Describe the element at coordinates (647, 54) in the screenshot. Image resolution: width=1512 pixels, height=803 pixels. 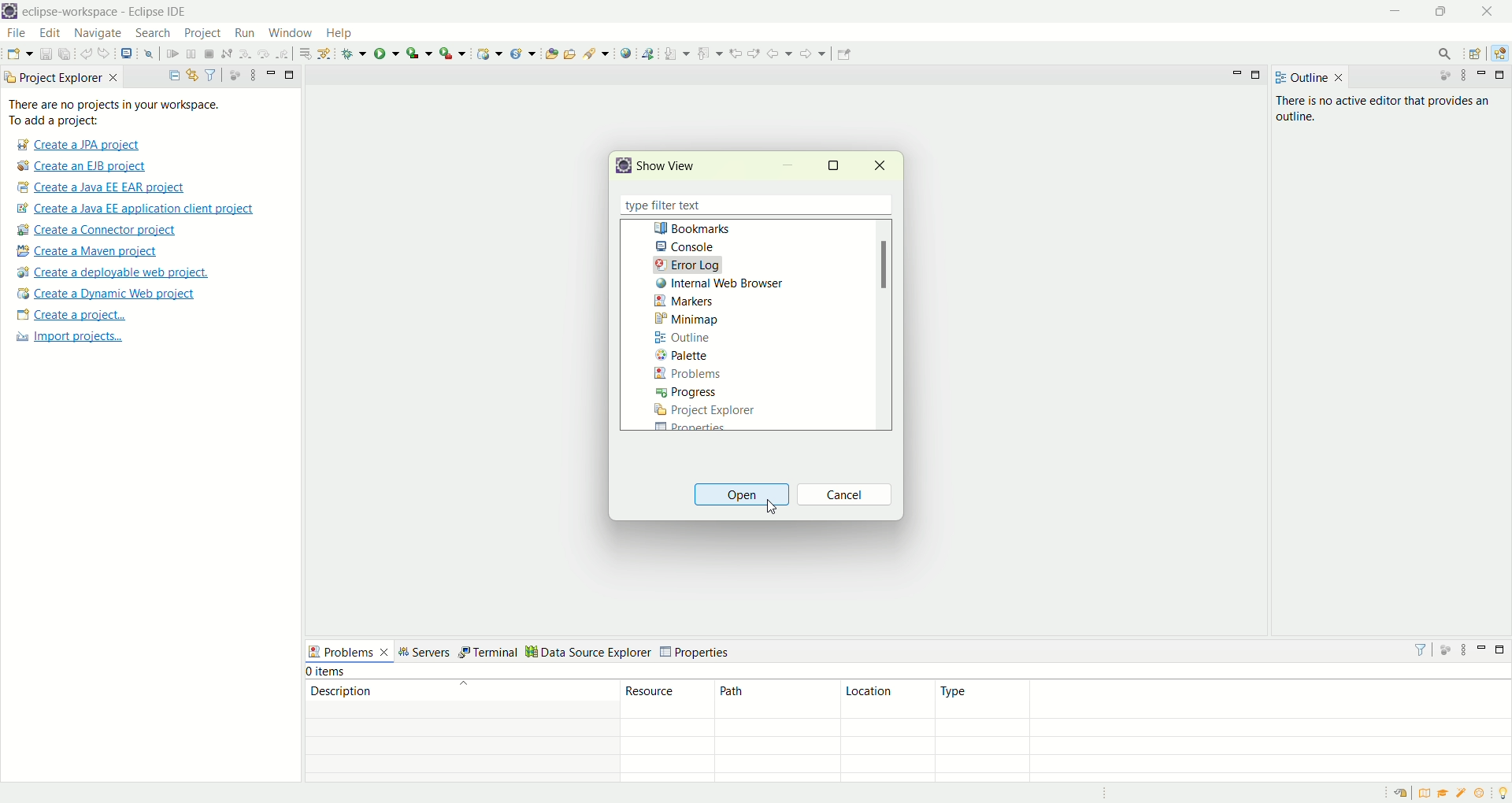
I see `launch the web service explorer` at that location.